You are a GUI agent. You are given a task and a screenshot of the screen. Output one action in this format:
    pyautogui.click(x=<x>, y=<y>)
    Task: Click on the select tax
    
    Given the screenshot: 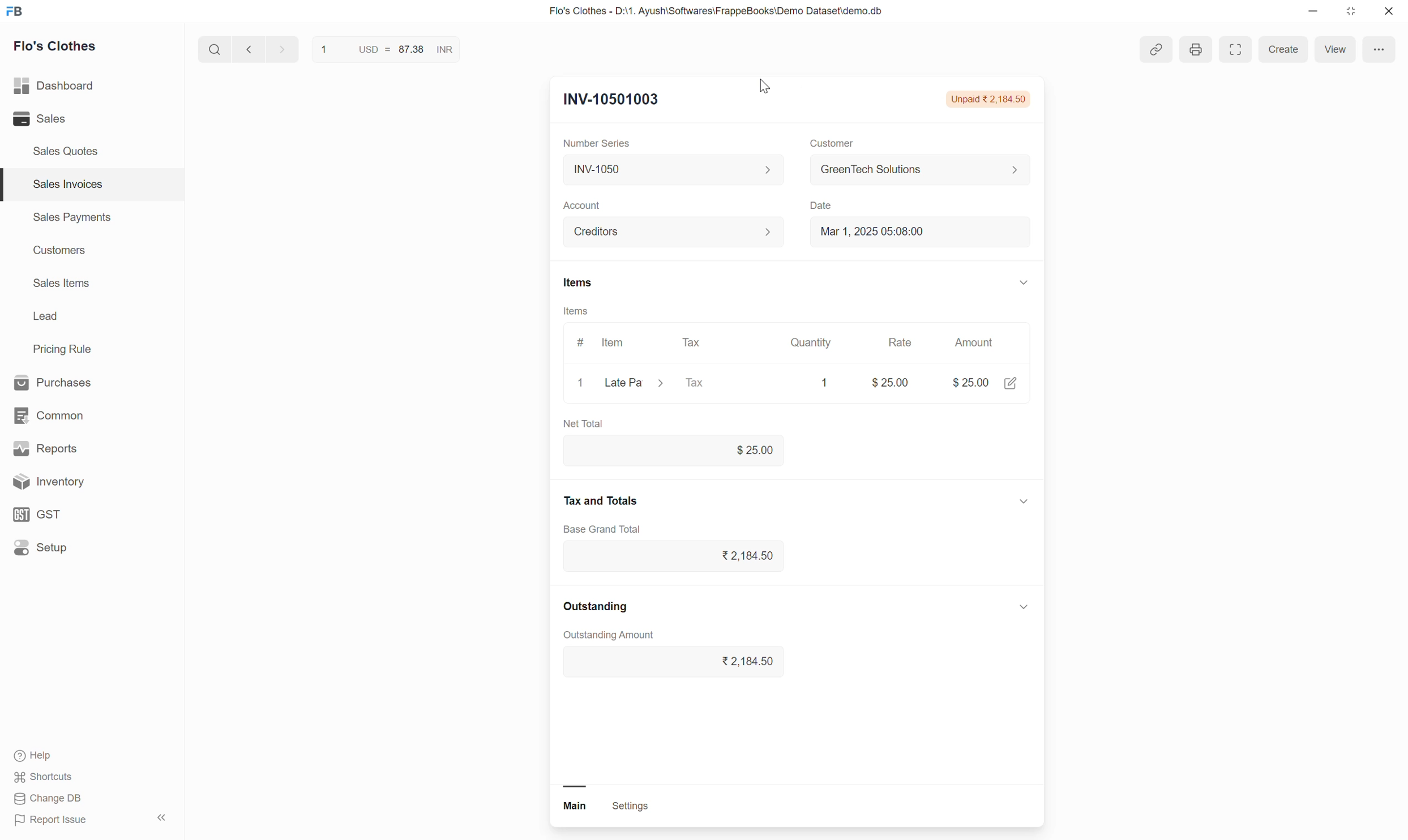 What is the action you would take?
    pyautogui.click(x=718, y=384)
    